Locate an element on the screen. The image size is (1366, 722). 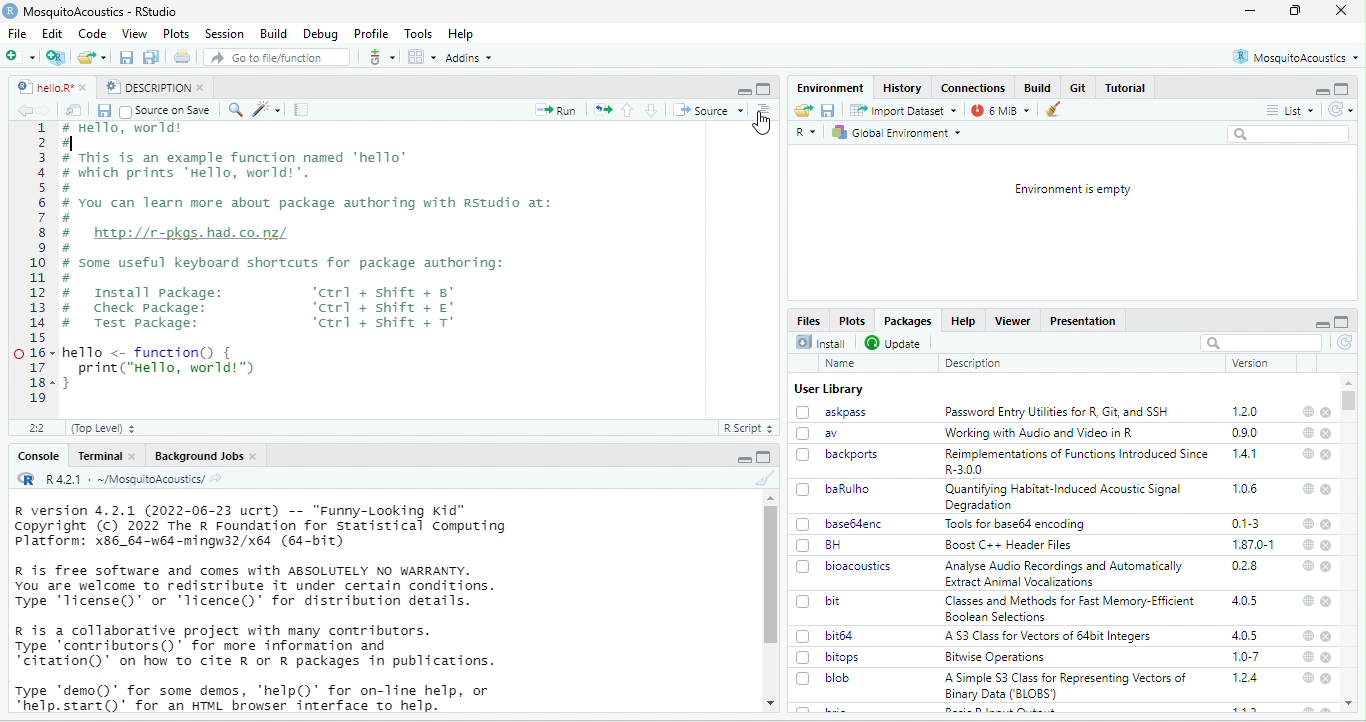
run the current line or selection is located at coordinates (557, 111).